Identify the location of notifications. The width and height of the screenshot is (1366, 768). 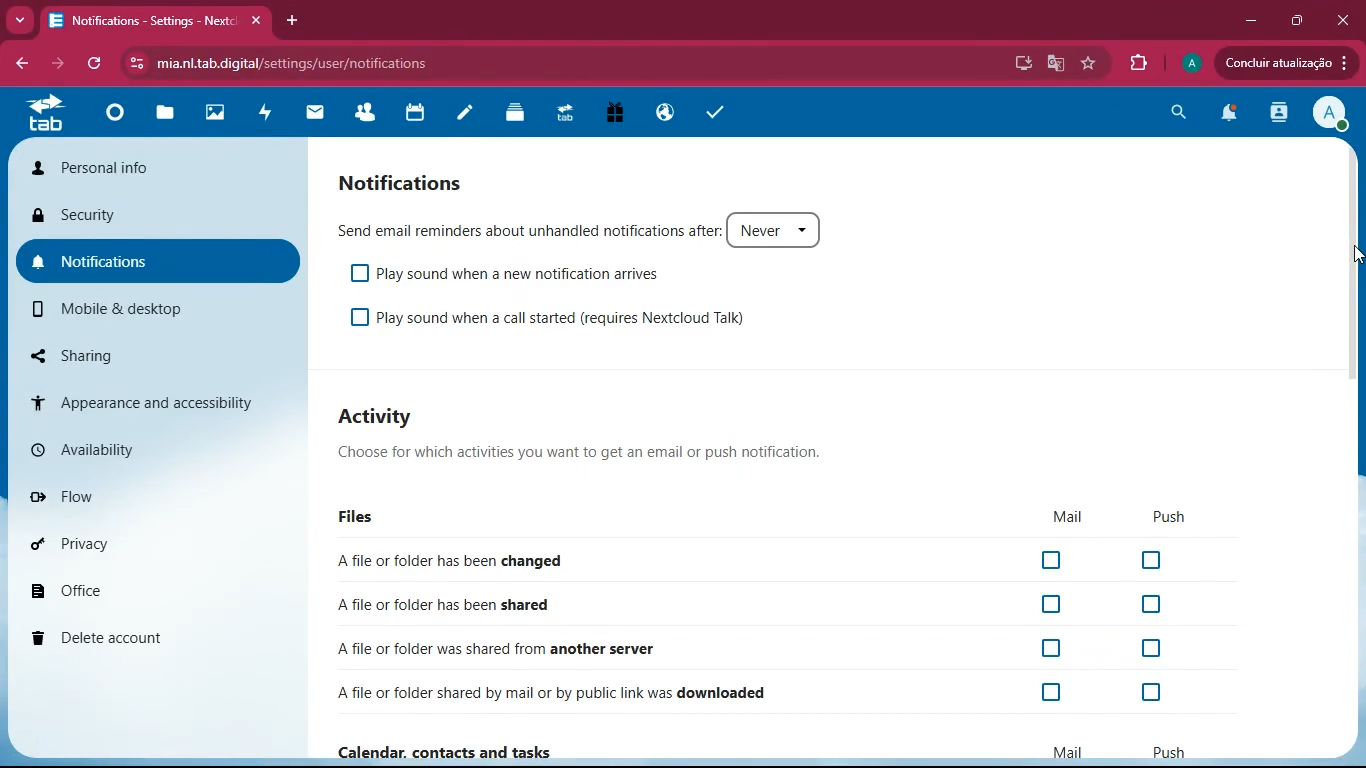
(1229, 116).